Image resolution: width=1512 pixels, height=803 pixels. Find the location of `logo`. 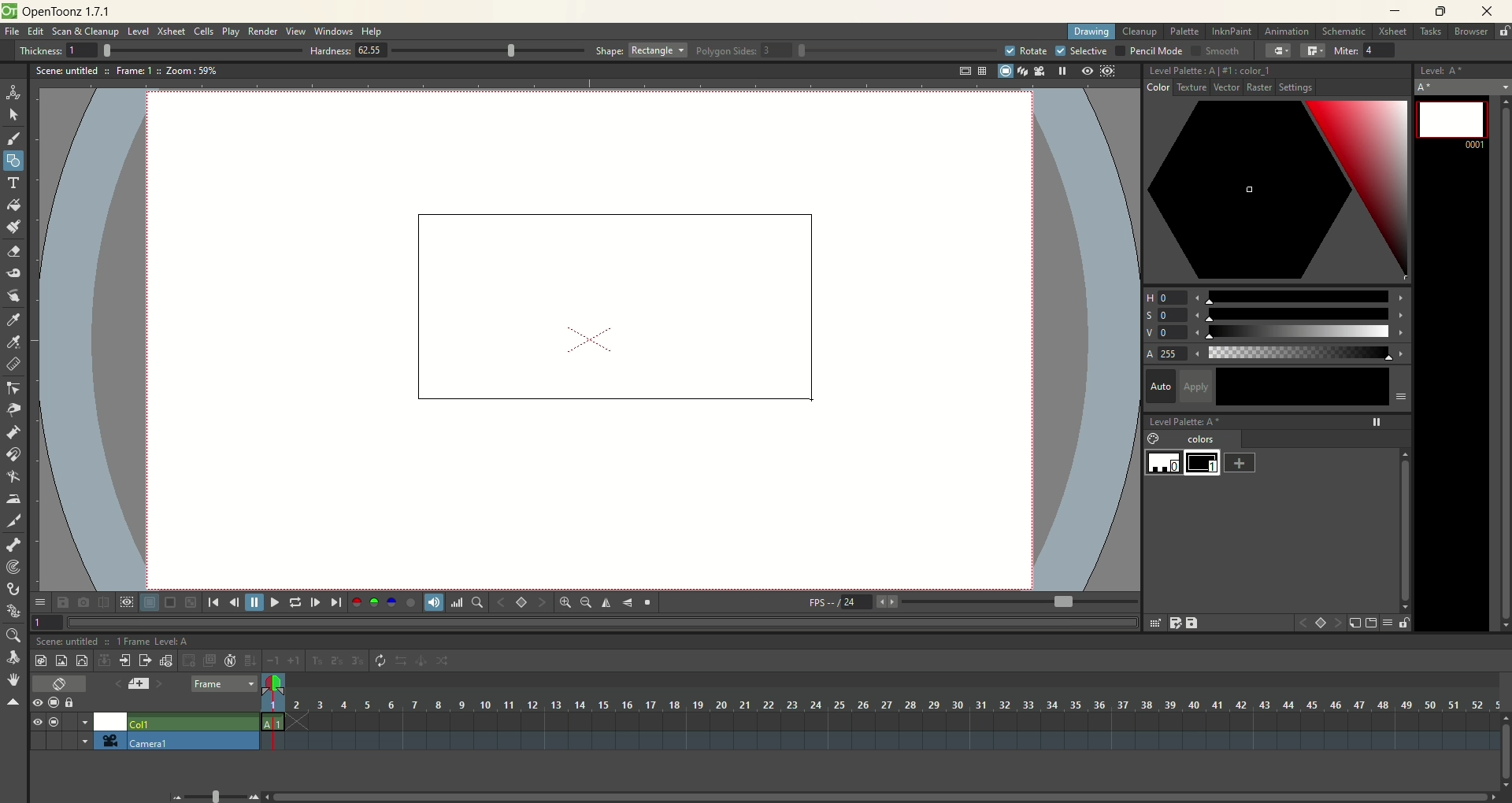

logo is located at coordinates (9, 11).